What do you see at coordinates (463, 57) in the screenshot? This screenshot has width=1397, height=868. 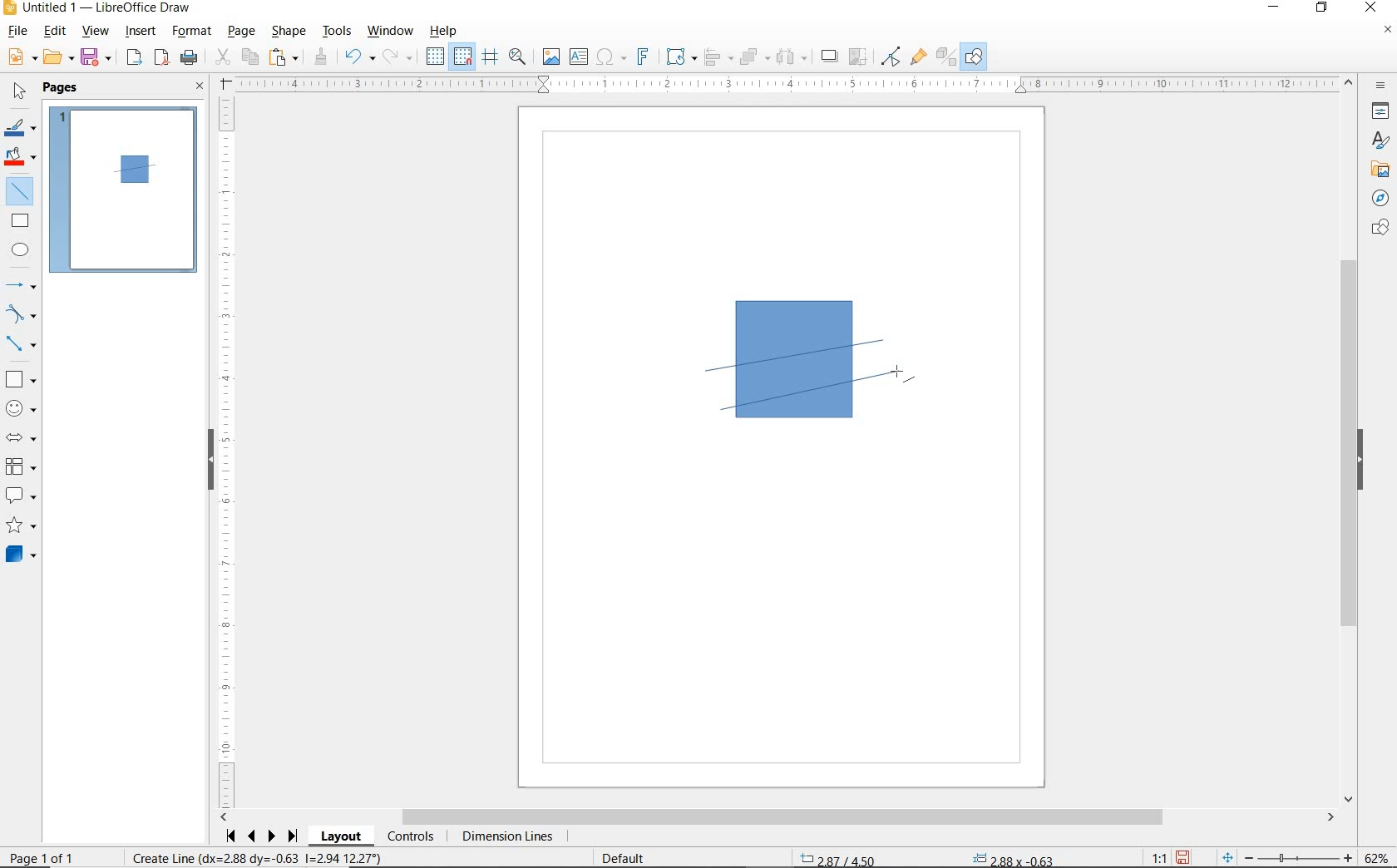 I see `SNAP TO GRID` at bounding box center [463, 57].